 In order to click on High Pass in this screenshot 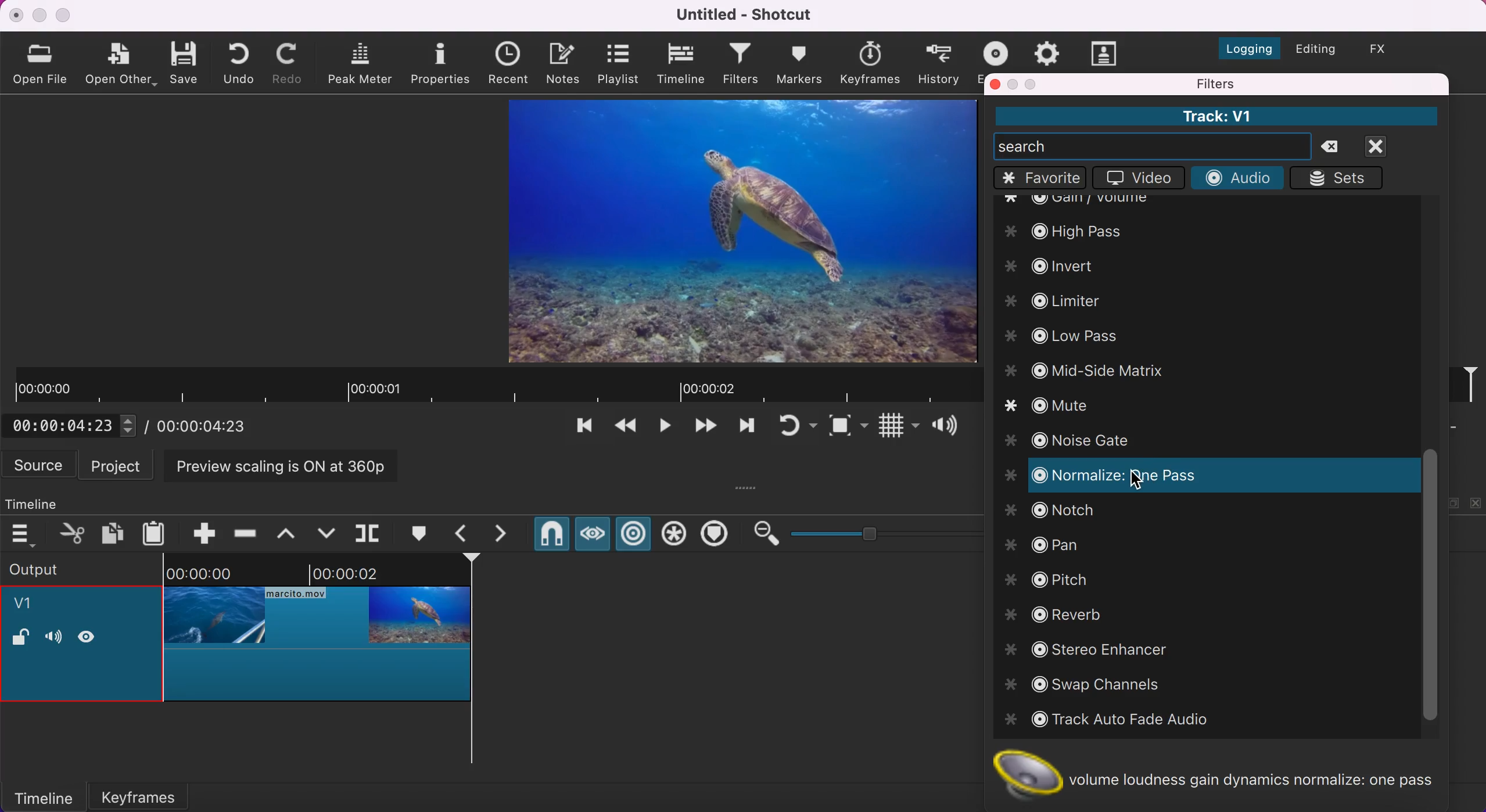, I will do `click(1077, 228)`.